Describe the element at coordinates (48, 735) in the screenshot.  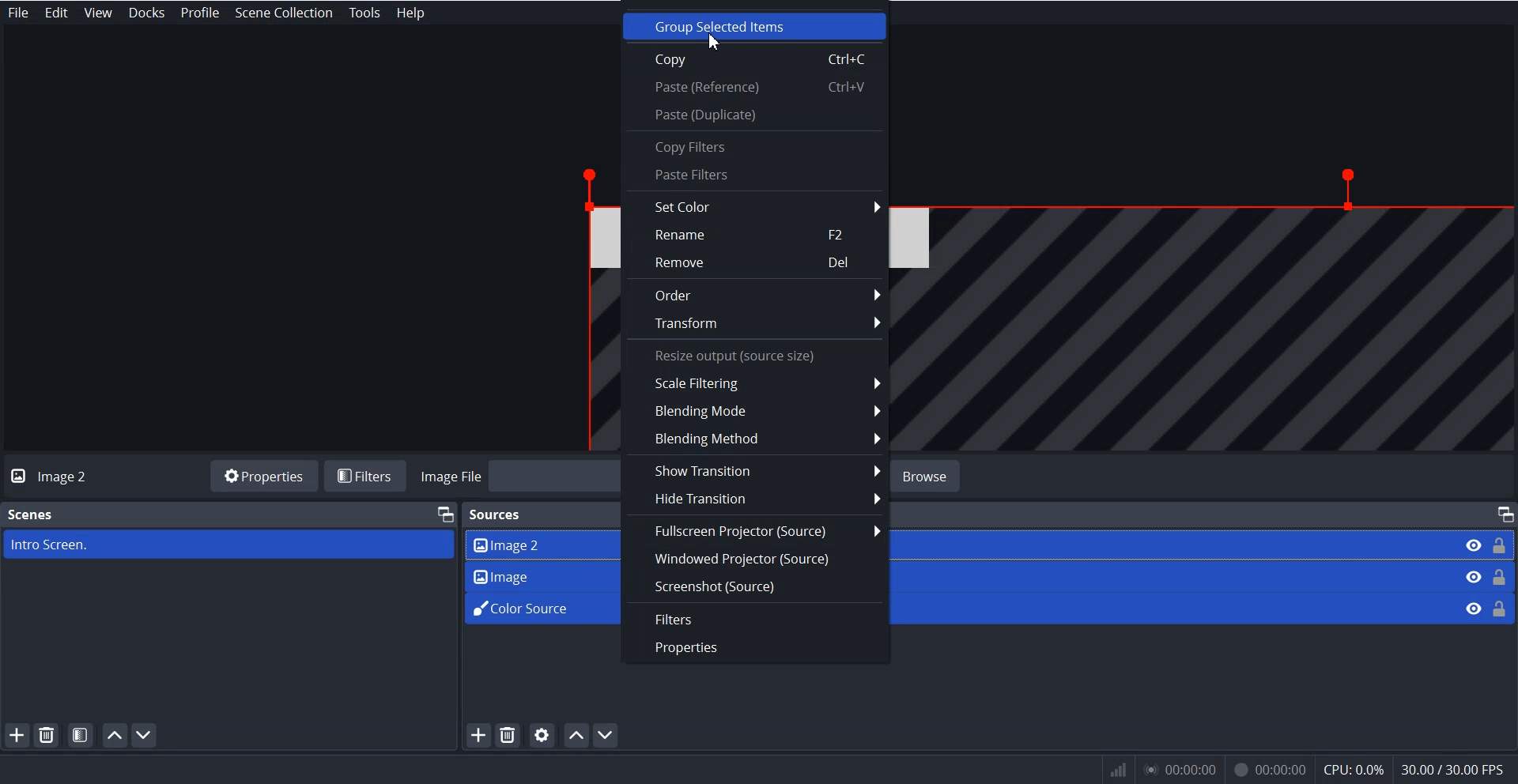
I see `Remove Selected Scene` at that location.